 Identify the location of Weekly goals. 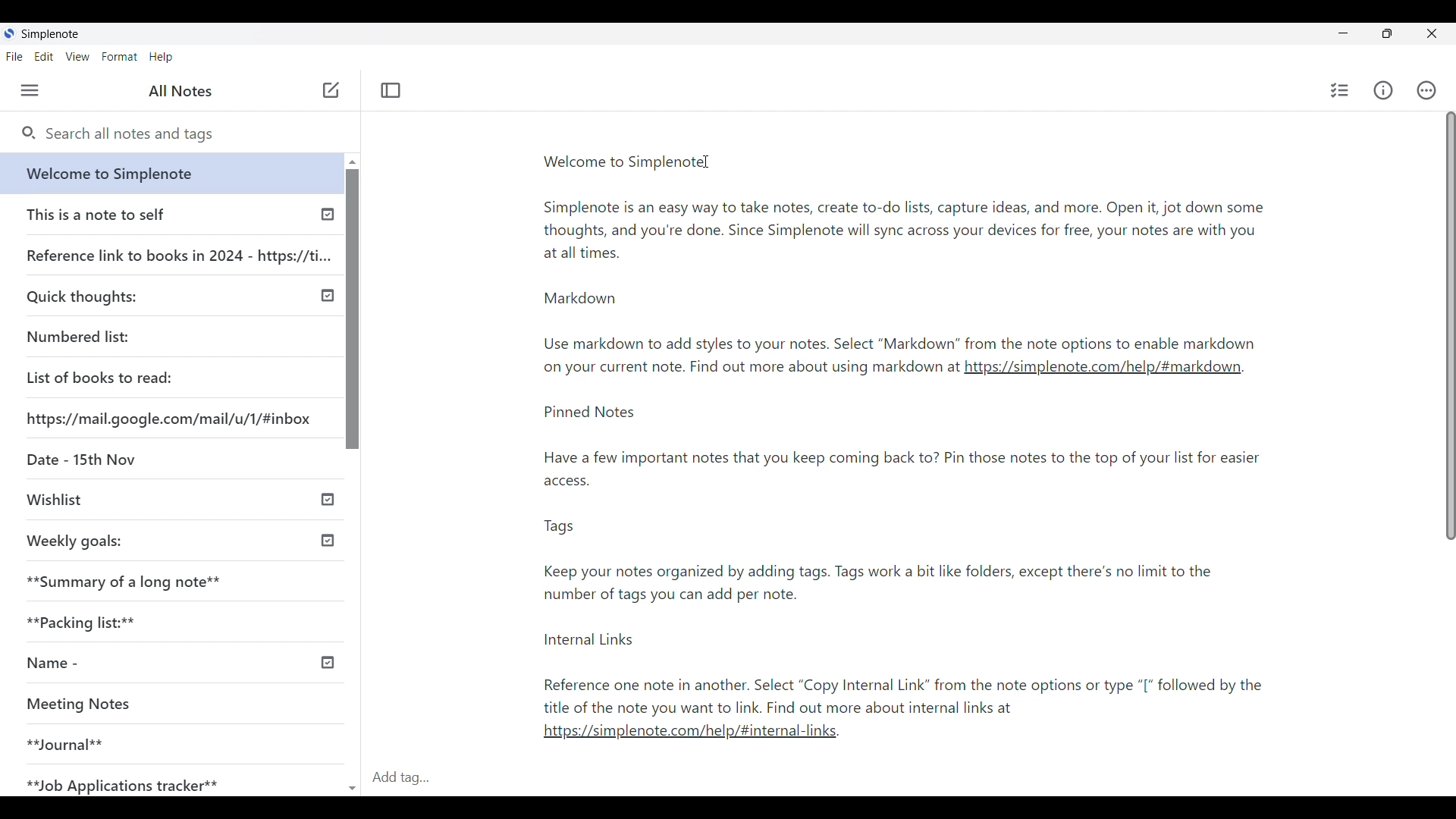
(75, 541).